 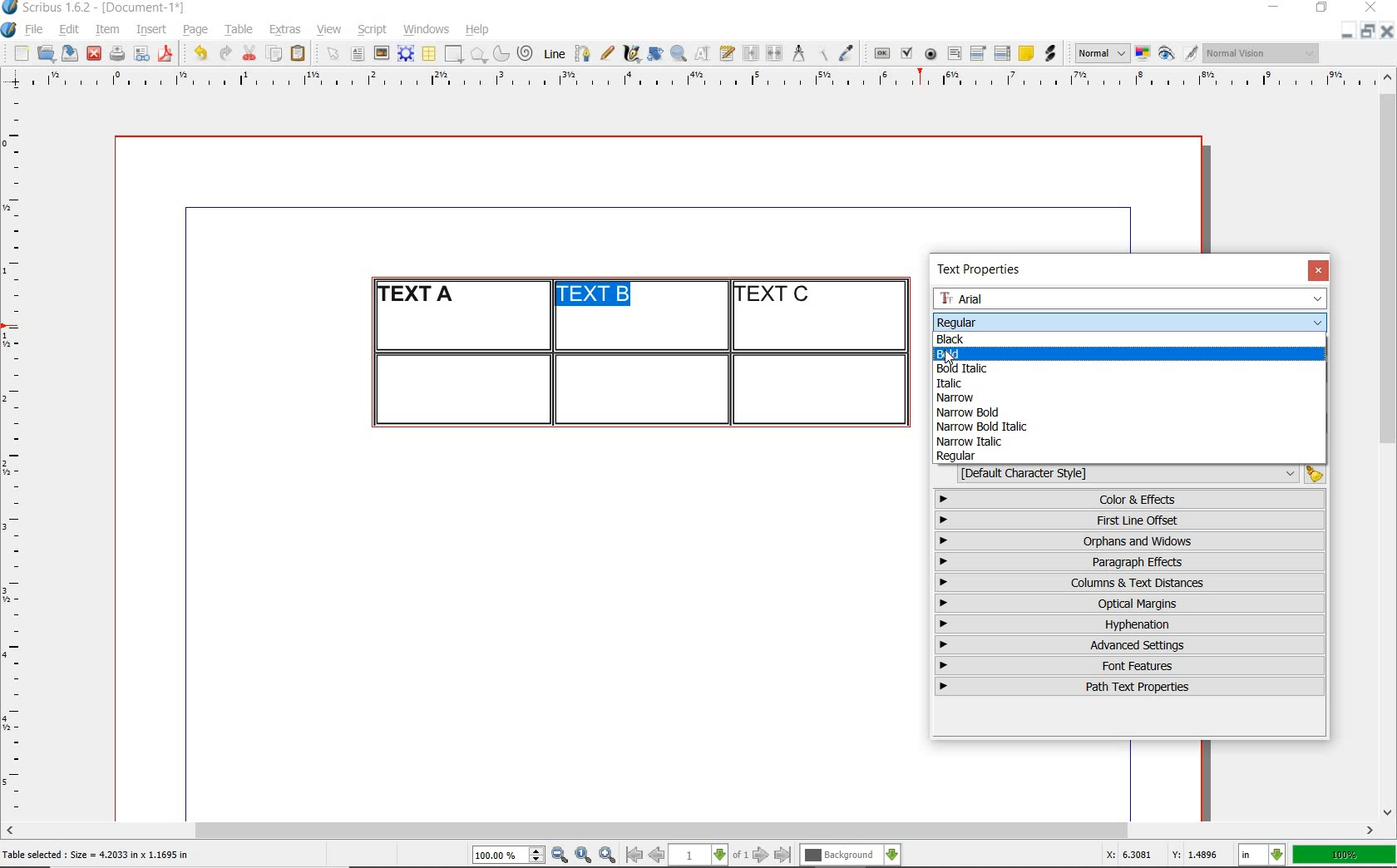 What do you see at coordinates (679, 53) in the screenshot?
I see `zoom in or zoom out` at bounding box center [679, 53].